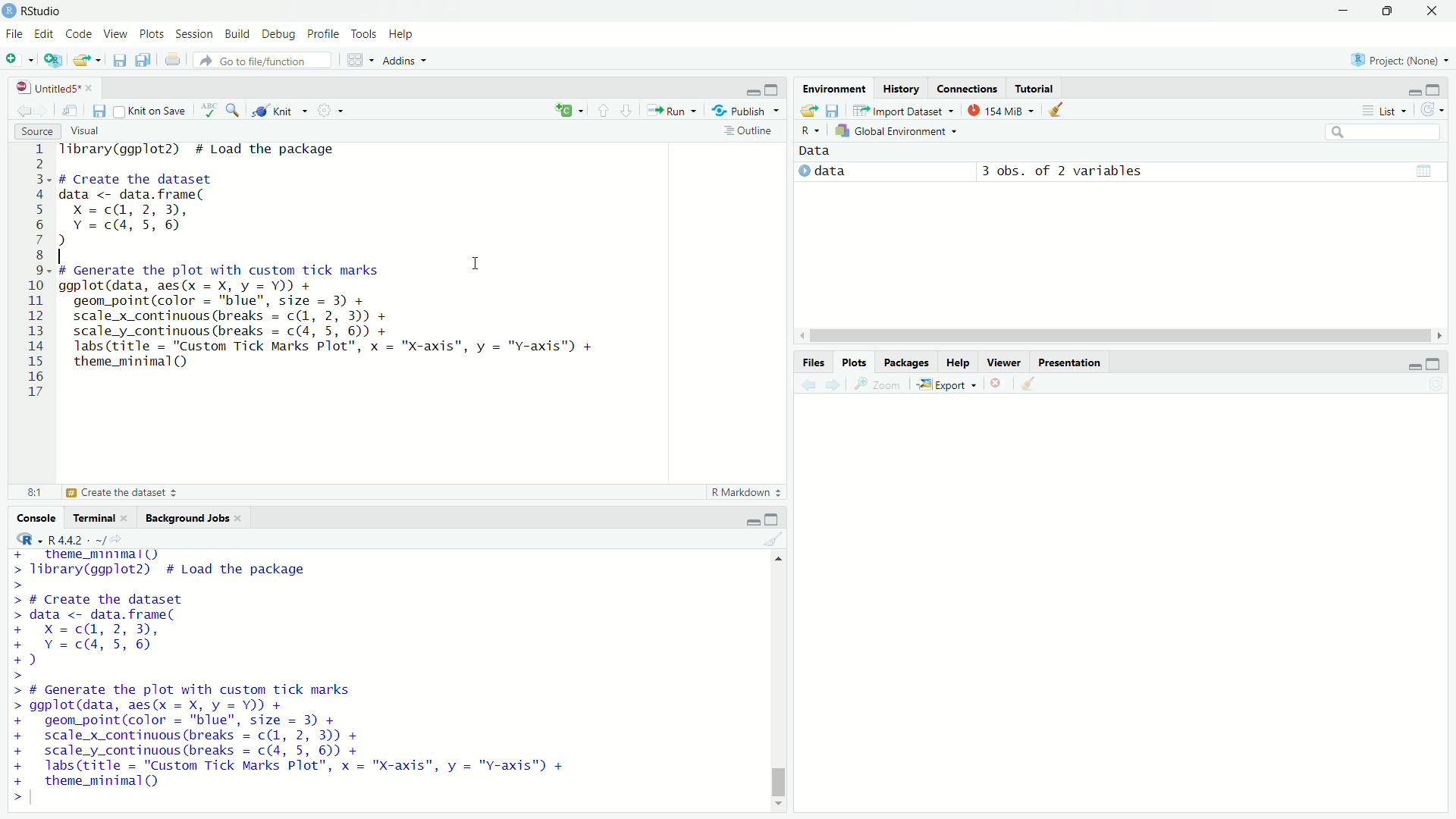 The image size is (1456, 819). I want to click on move left, so click(801, 335).